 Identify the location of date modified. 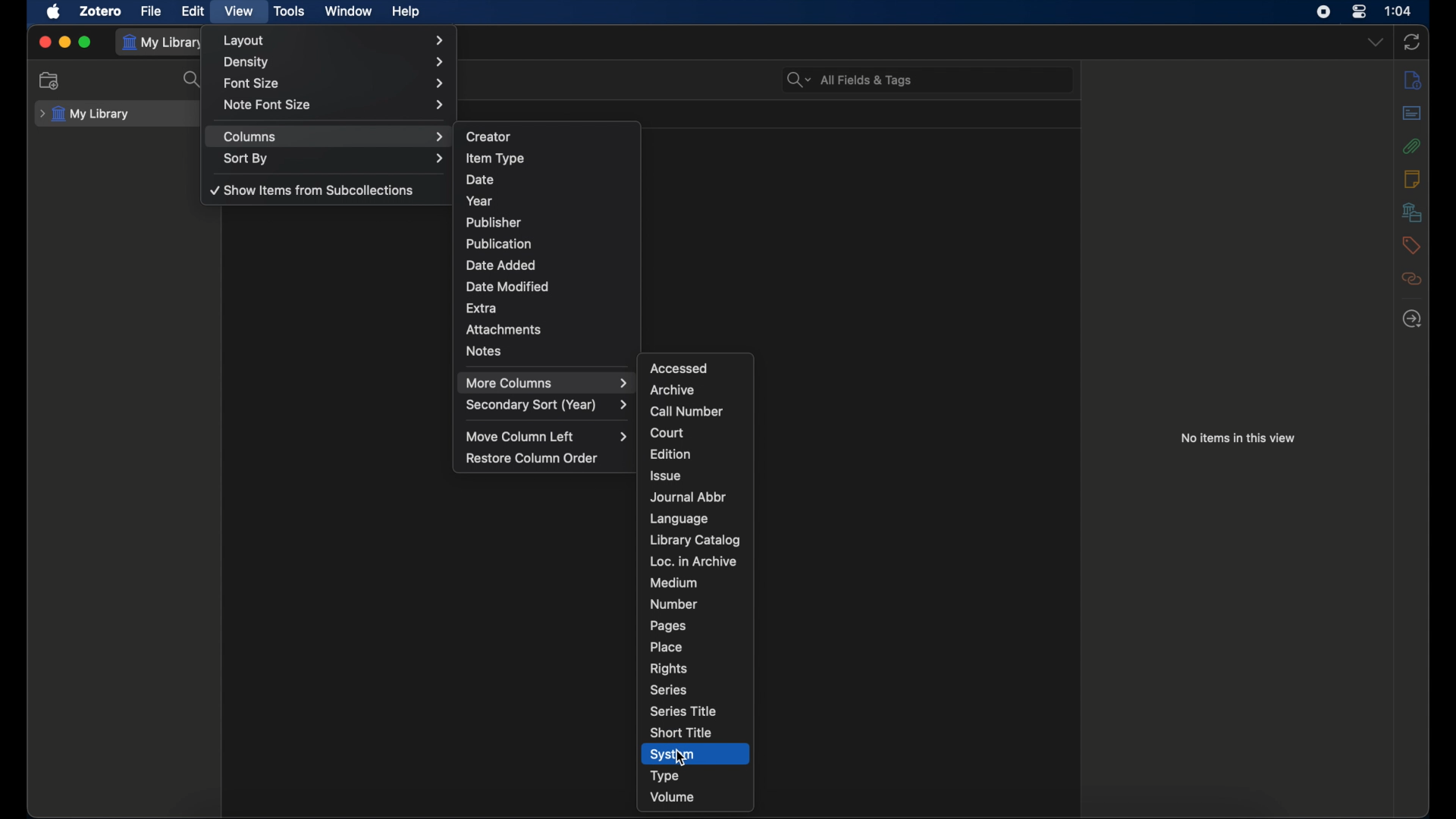
(509, 287).